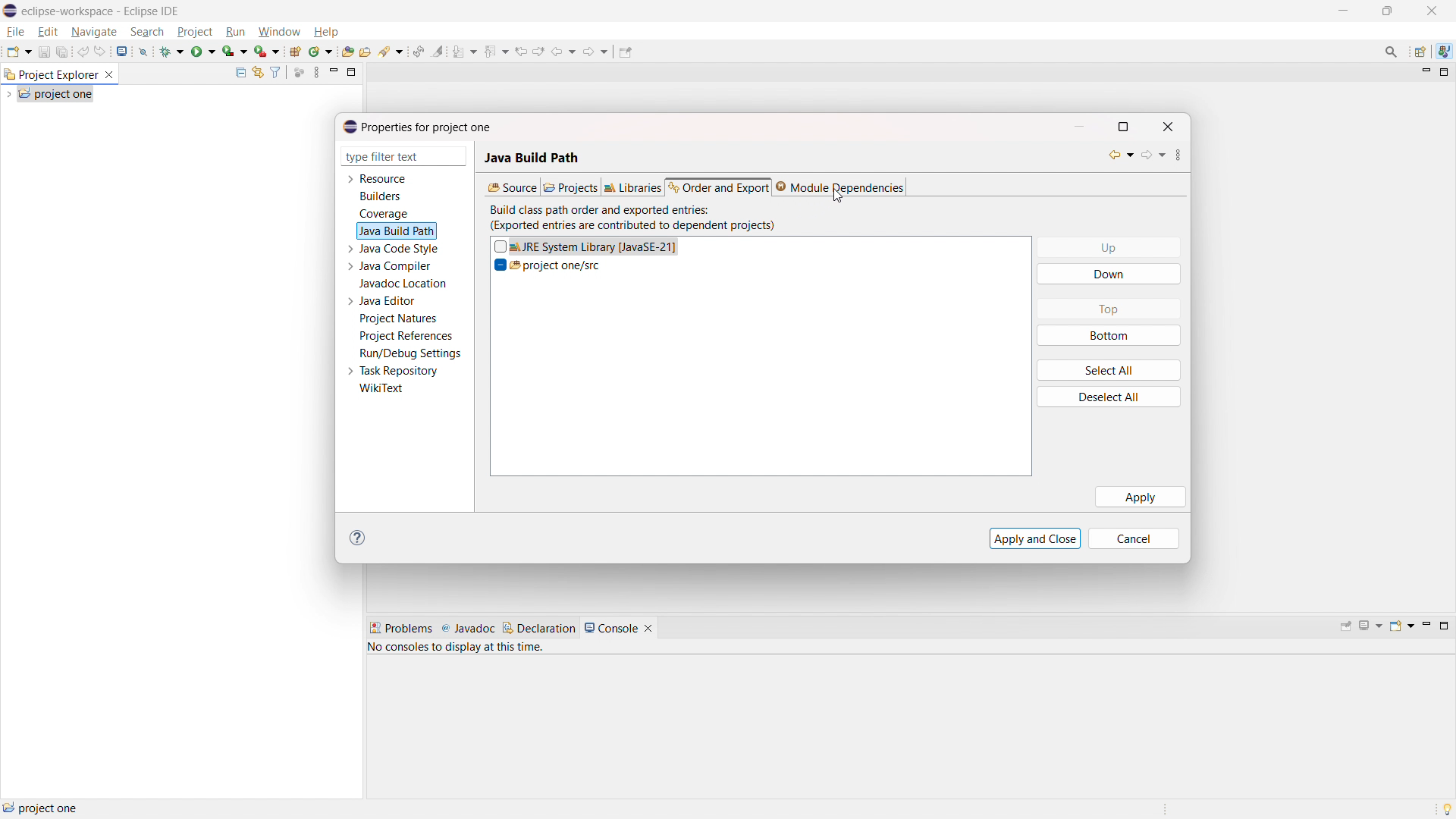 The height and width of the screenshot is (819, 1456). I want to click on maximize, so click(1445, 73).